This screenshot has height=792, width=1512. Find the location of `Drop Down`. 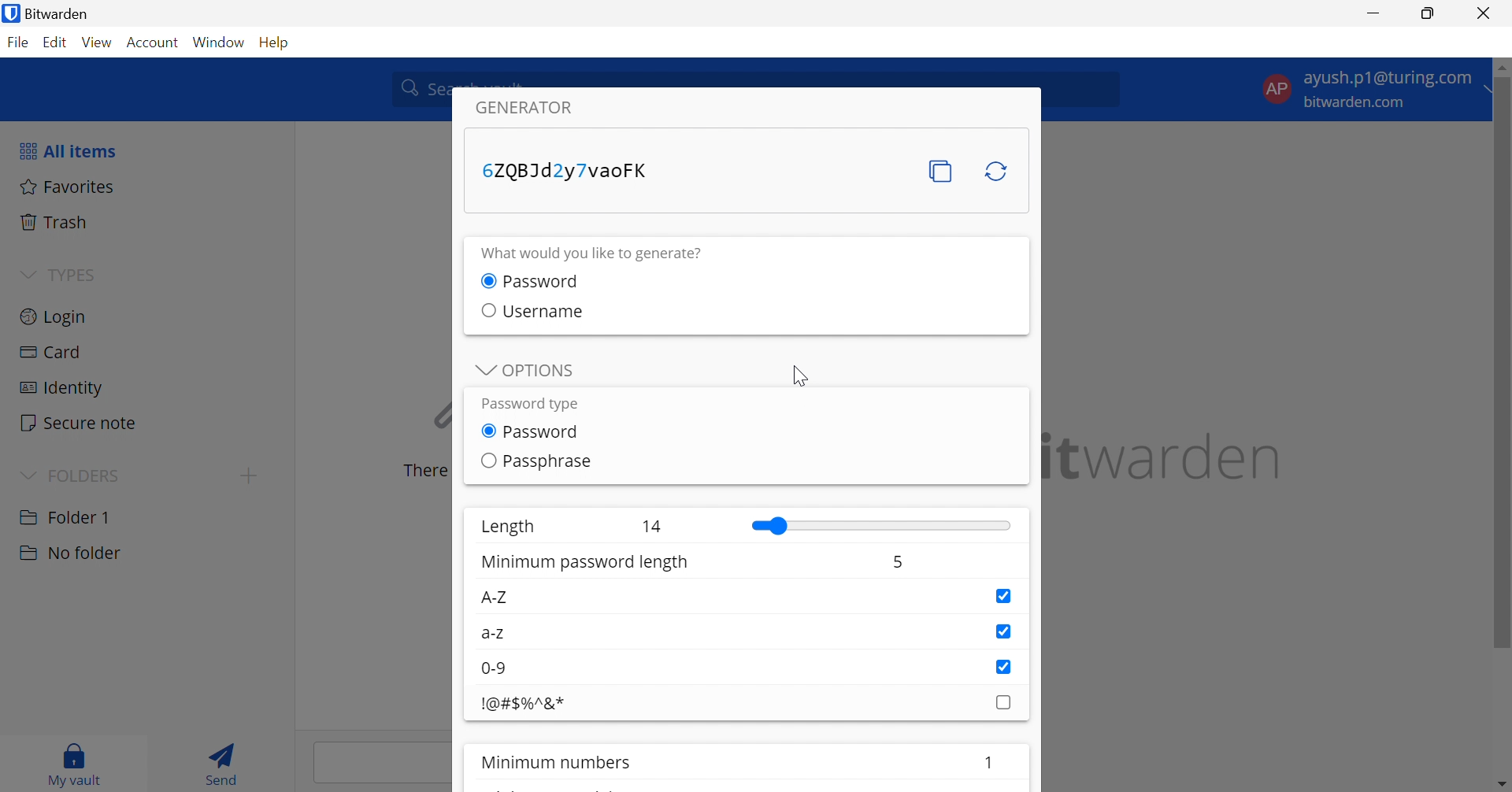

Drop Down is located at coordinates (481, 371).